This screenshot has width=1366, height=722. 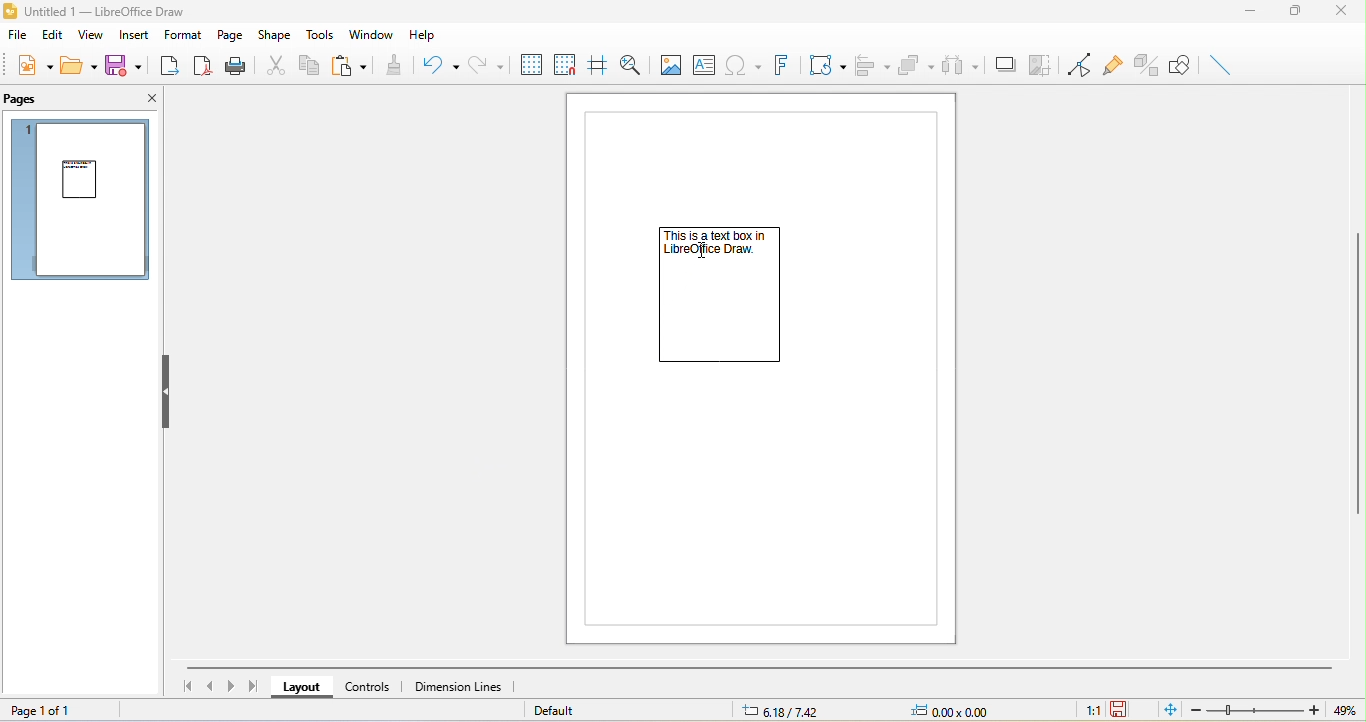 What do you see at coordinates (142, 97) in the screenshot?
I see `close` at bounding box center [142, 97].